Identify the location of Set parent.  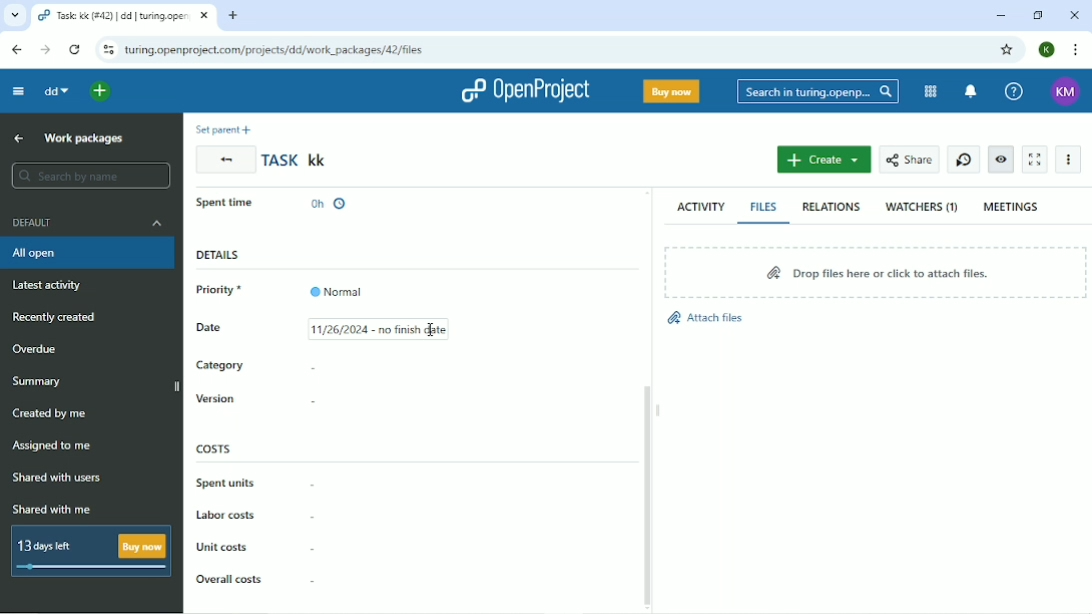
(227, 129).